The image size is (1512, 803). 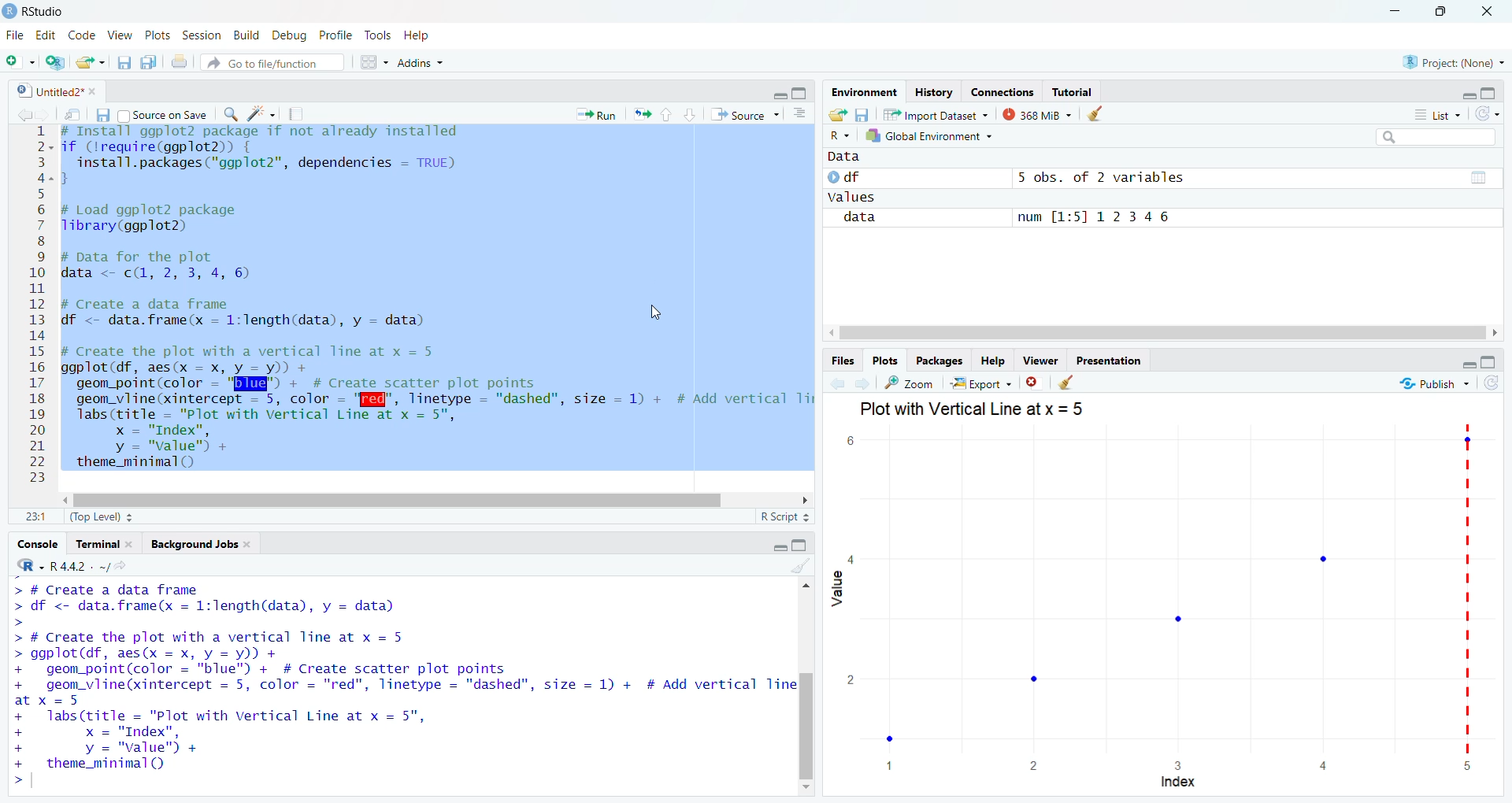 I want to click on spark, so click(x=260, y=113).